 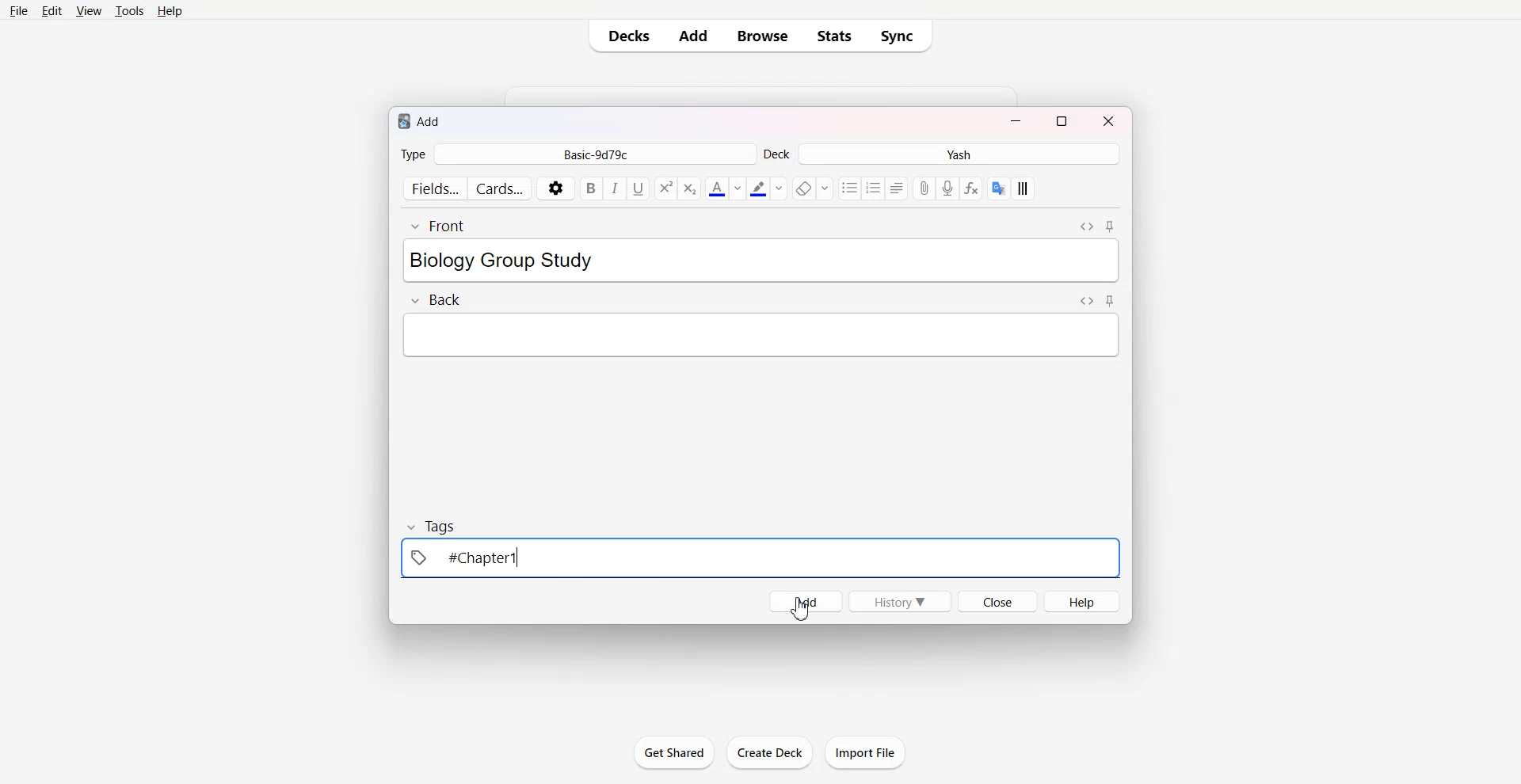 What do you see at coordinates (902, 36) in the screenshot?
I see `Sync` at bounding box center [902, 36].